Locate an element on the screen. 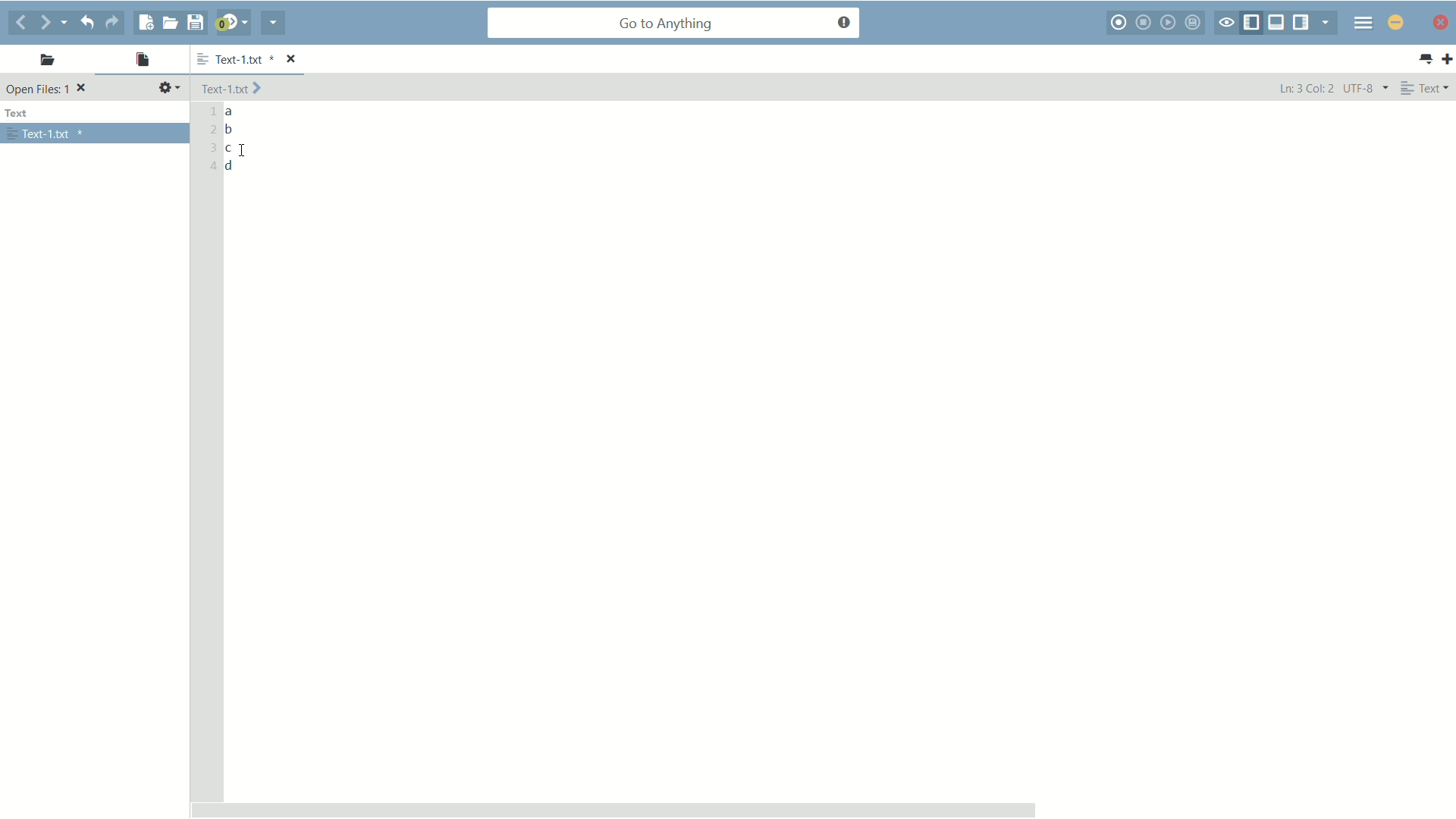 The height and width of the screenshot is (819, 1456). Cursor is located at coordinates (243, 151).